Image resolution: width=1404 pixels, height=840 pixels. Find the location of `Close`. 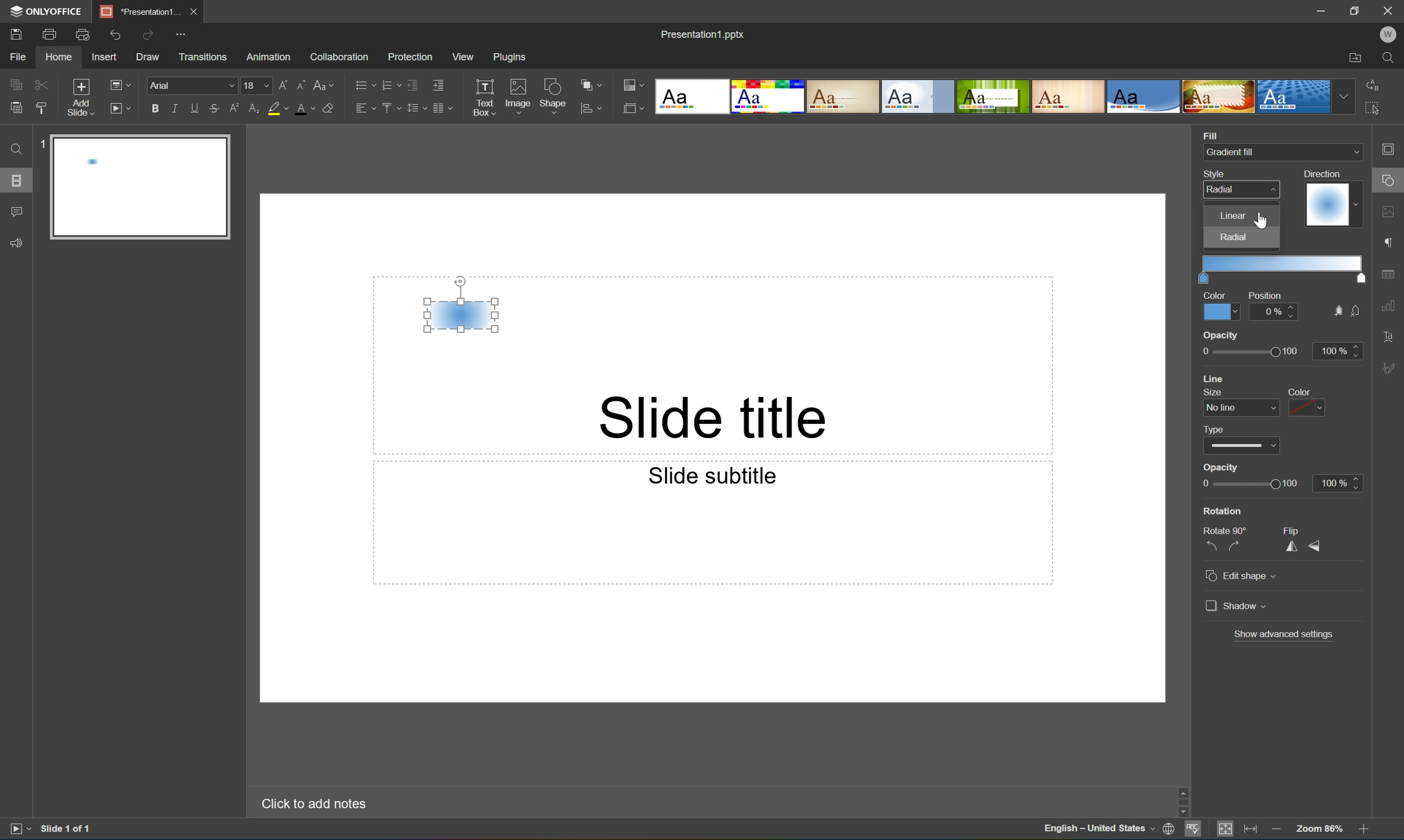

Close is located at coordinates (192, 10).